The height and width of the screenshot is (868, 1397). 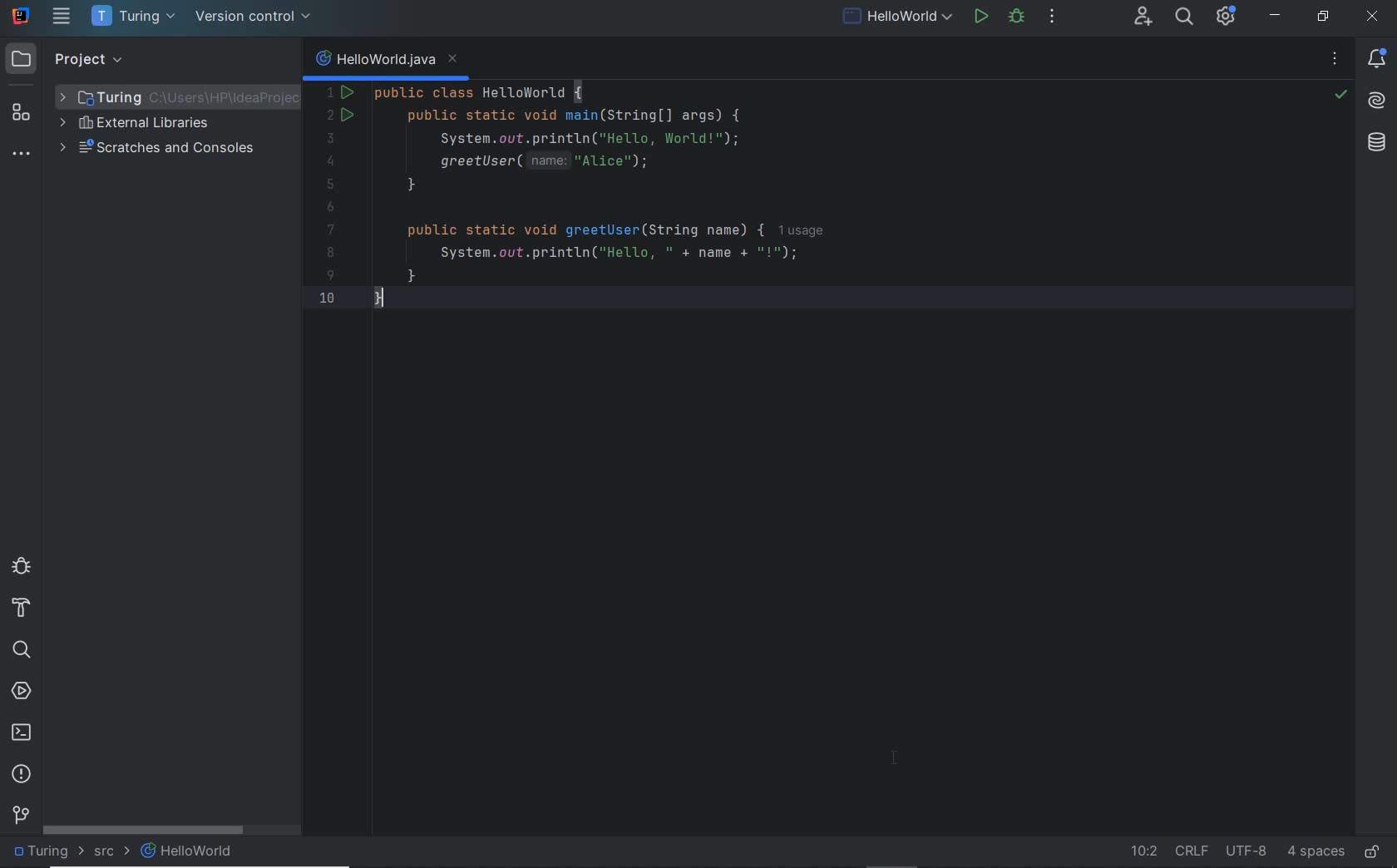 What do you see at coordinates (1144, 18) in the screenshot?
I see `code with me` at bounding box center [1144, 18].